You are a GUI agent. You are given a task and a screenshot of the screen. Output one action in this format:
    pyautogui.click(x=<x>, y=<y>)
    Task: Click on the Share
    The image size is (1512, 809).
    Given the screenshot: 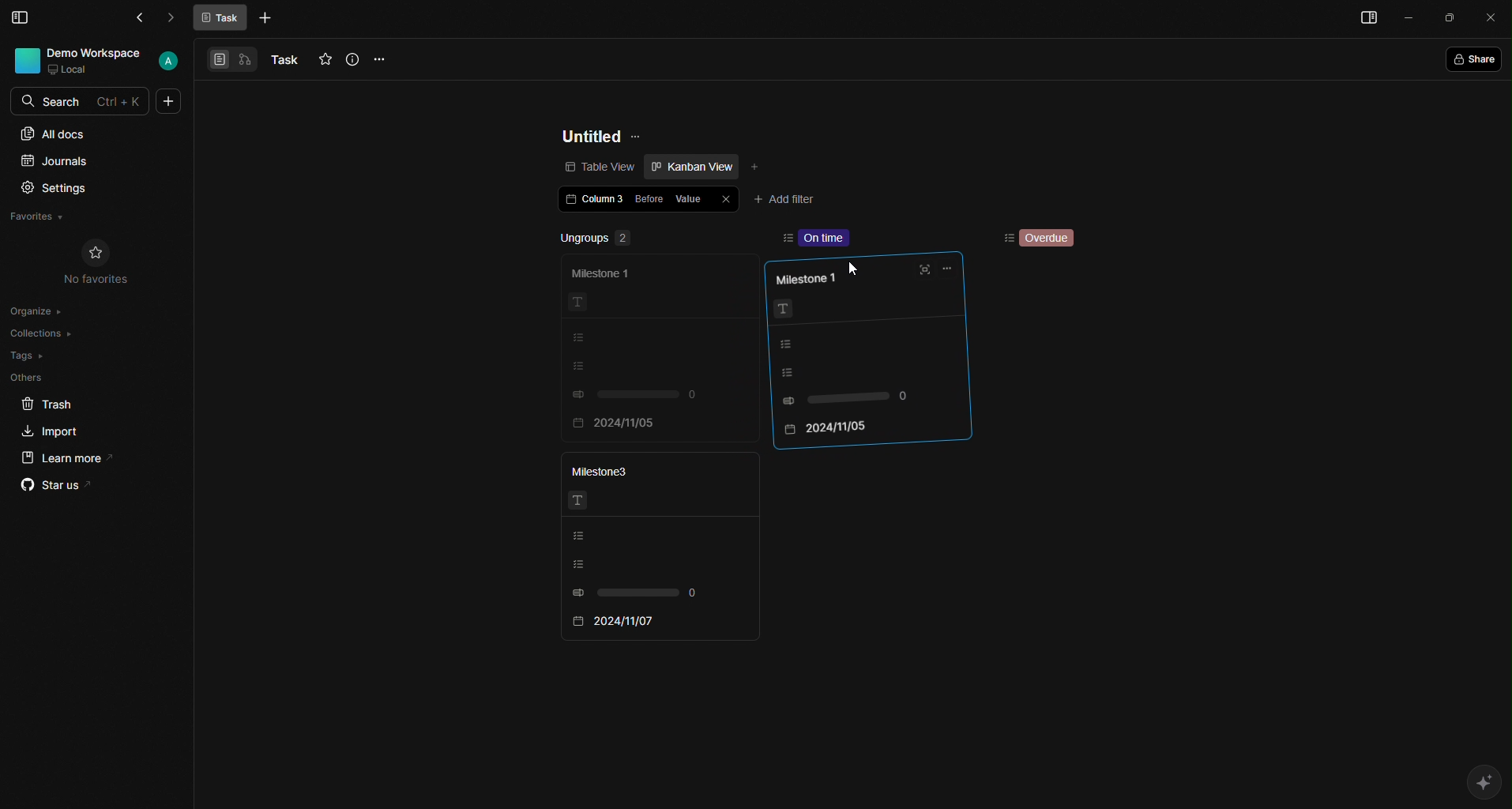 What is the action you would take?
    pyautogui.click(x=1475, y=59)
    